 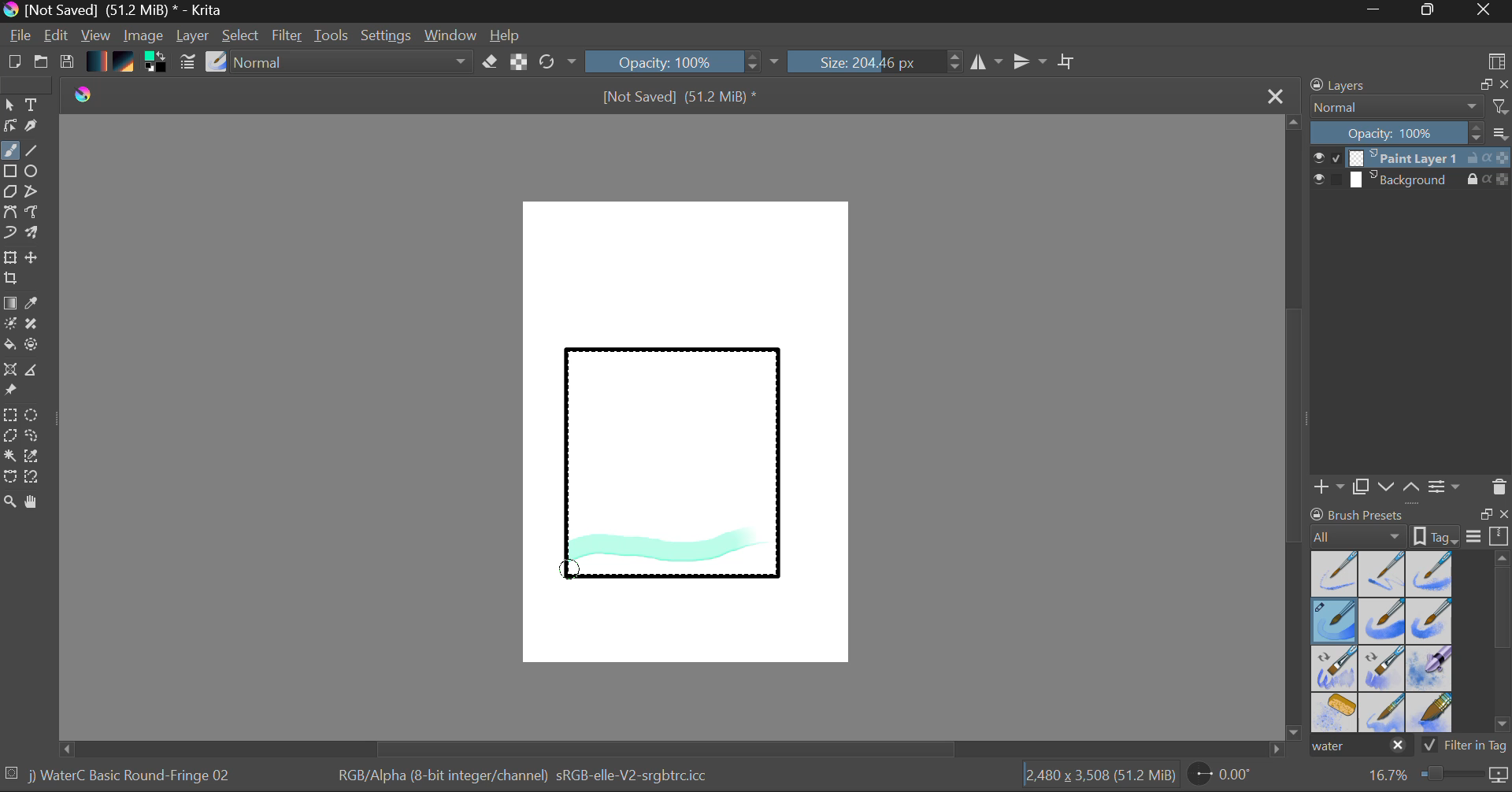 I want to click on Settings, so click(x=387, y=35).